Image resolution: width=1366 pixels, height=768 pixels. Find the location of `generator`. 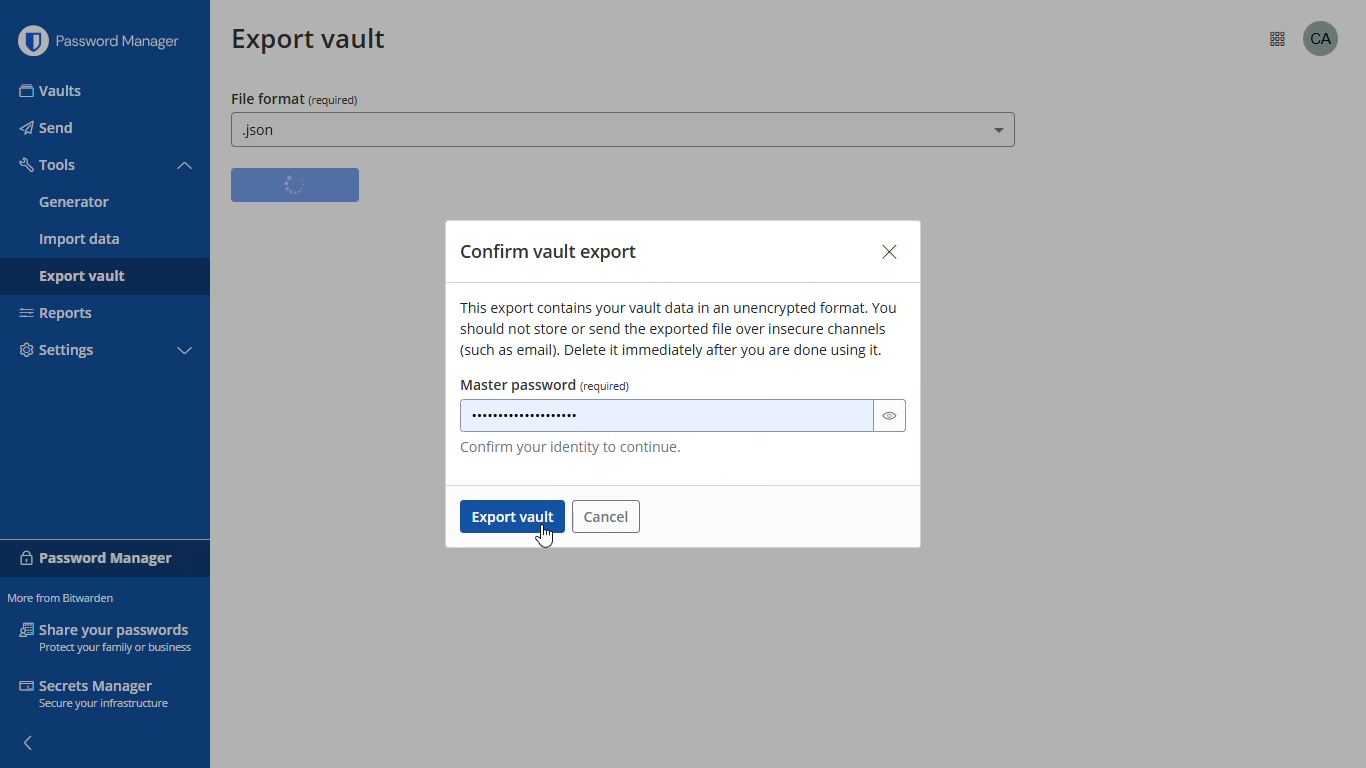

generator is located at coordinates (74, 202).